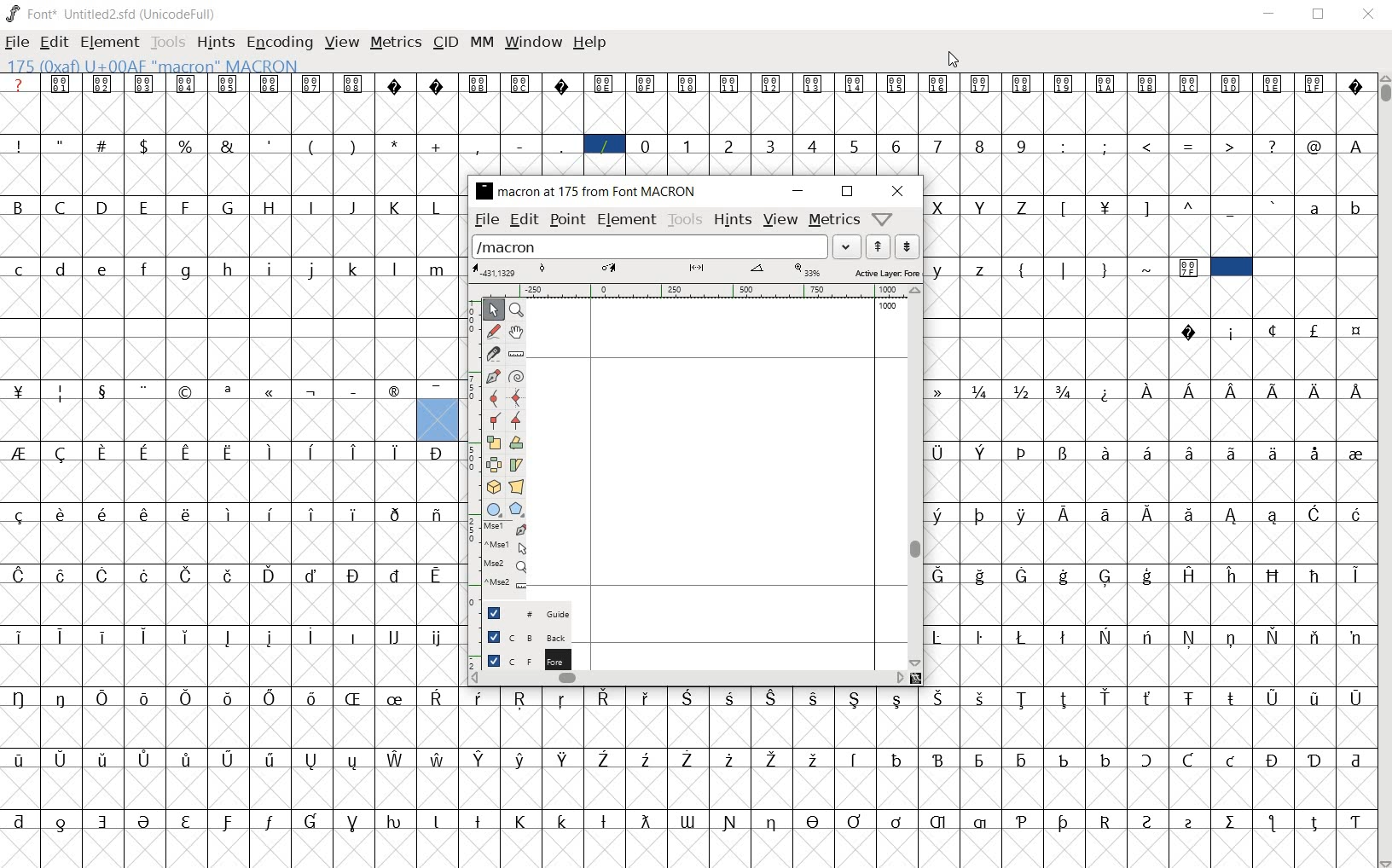  What do you see at coordinates (774, 821) in the screenshot?
I see `Symbol` at bounding box center [774, 821].